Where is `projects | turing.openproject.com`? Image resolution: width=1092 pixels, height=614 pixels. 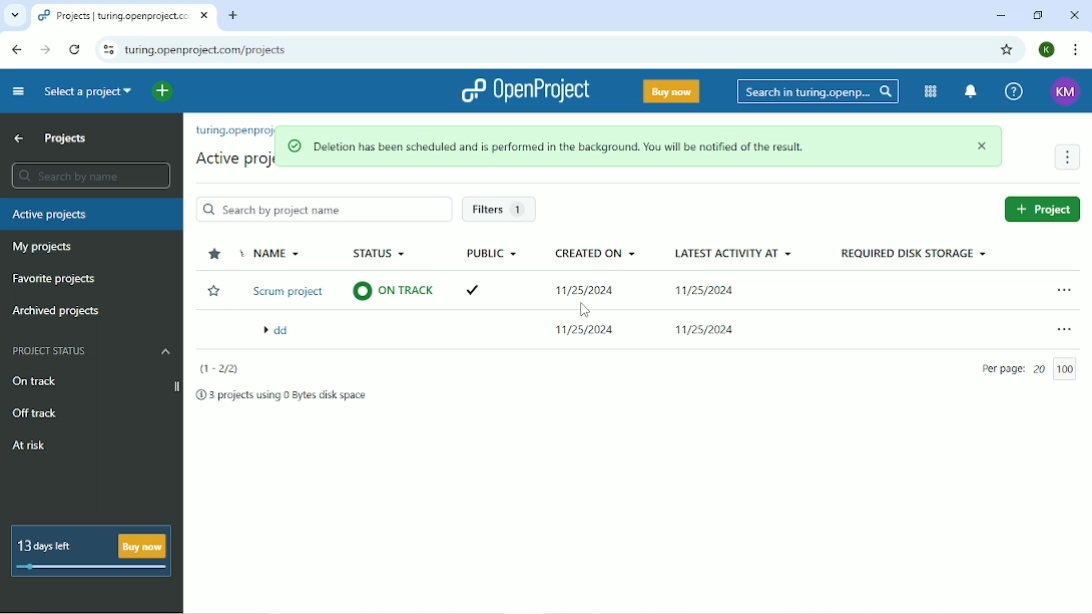 projects | turing.openproject.com is located at coordinates (122, 17).